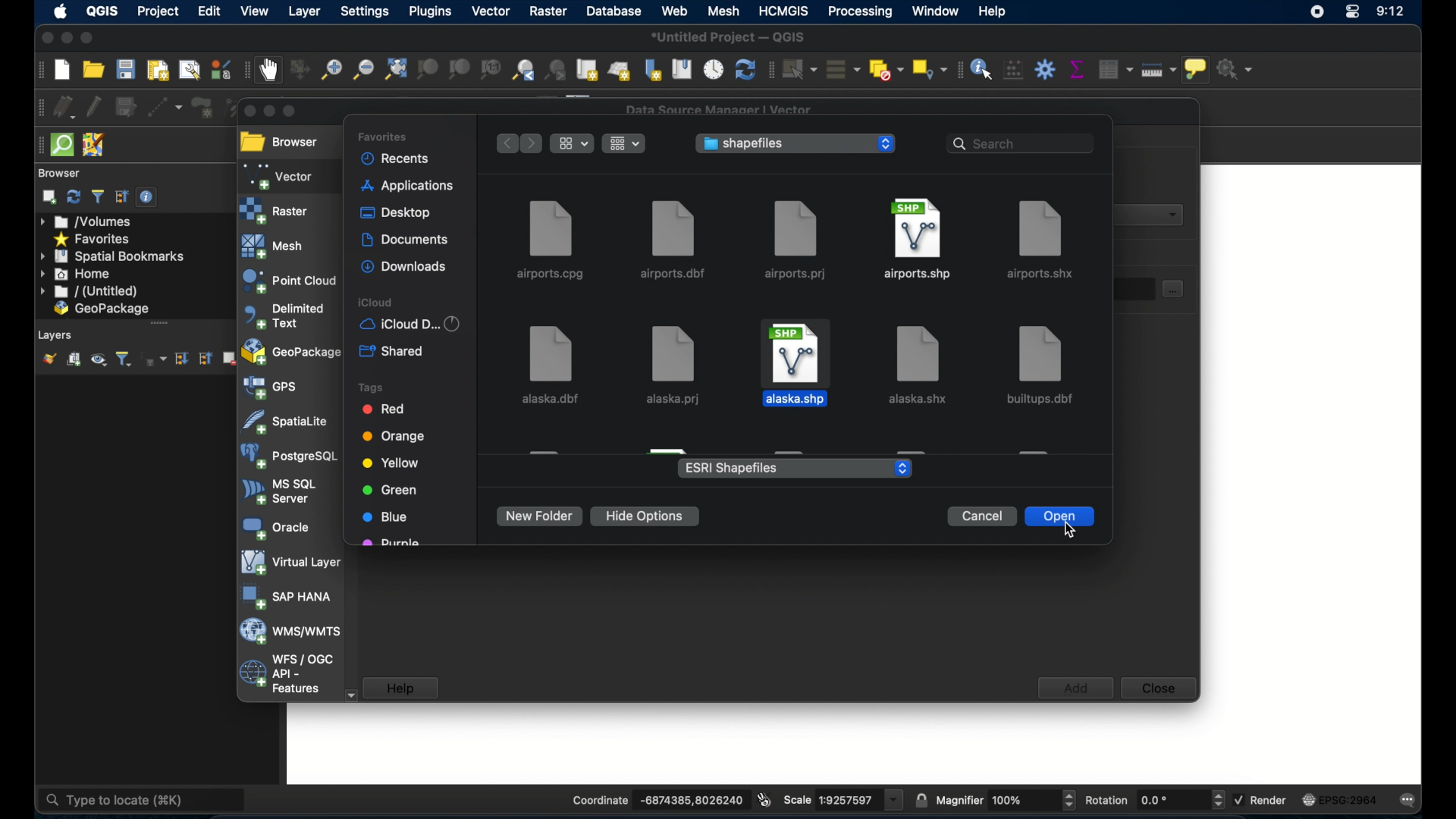 This screenshot has height=819, width=1456. Describe the element at coordinates (279, 143) in the screenshot. I see `browser` at that location.